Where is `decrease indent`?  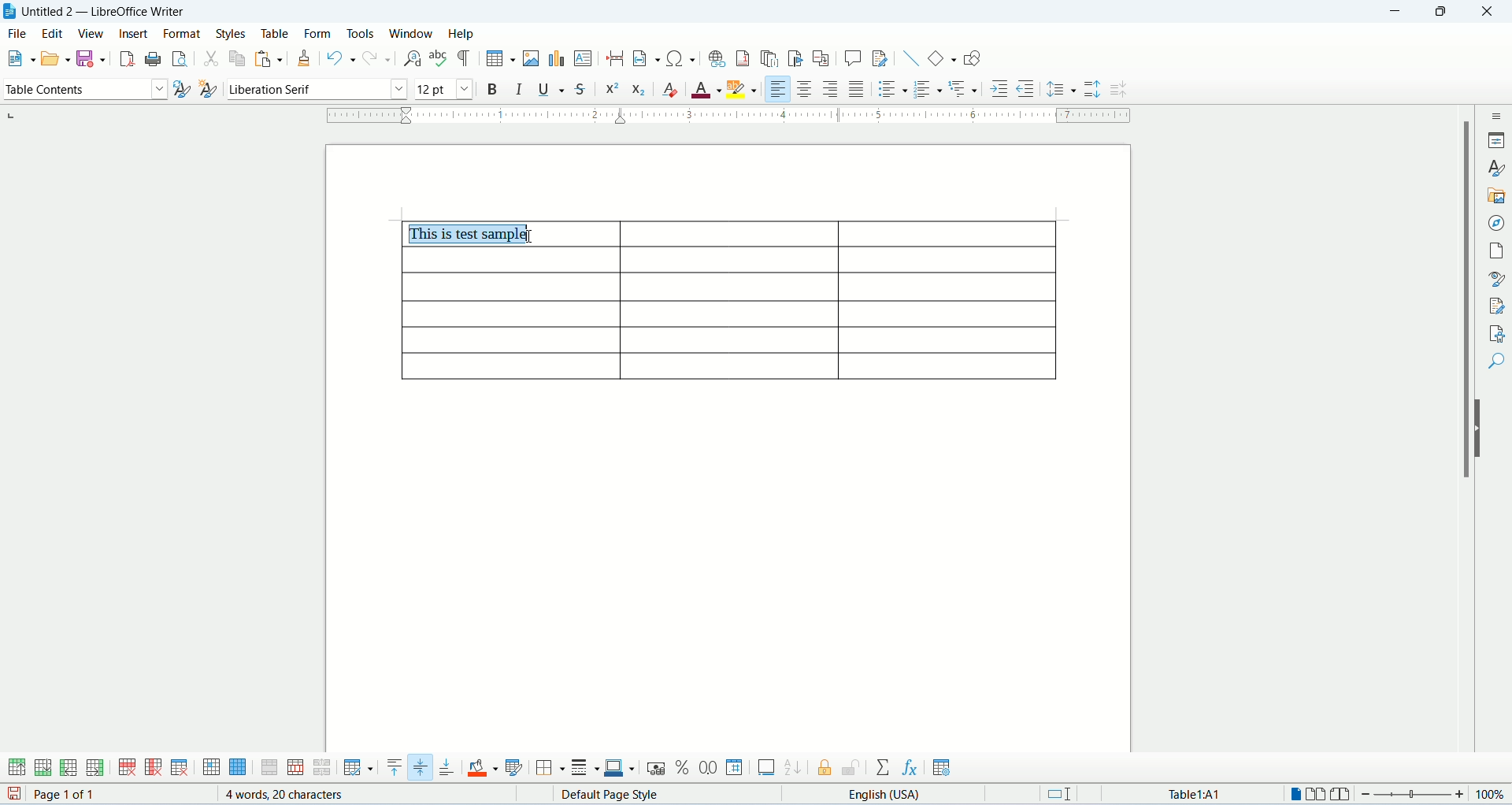
decrease indent is located at coordinates (1026, 89).